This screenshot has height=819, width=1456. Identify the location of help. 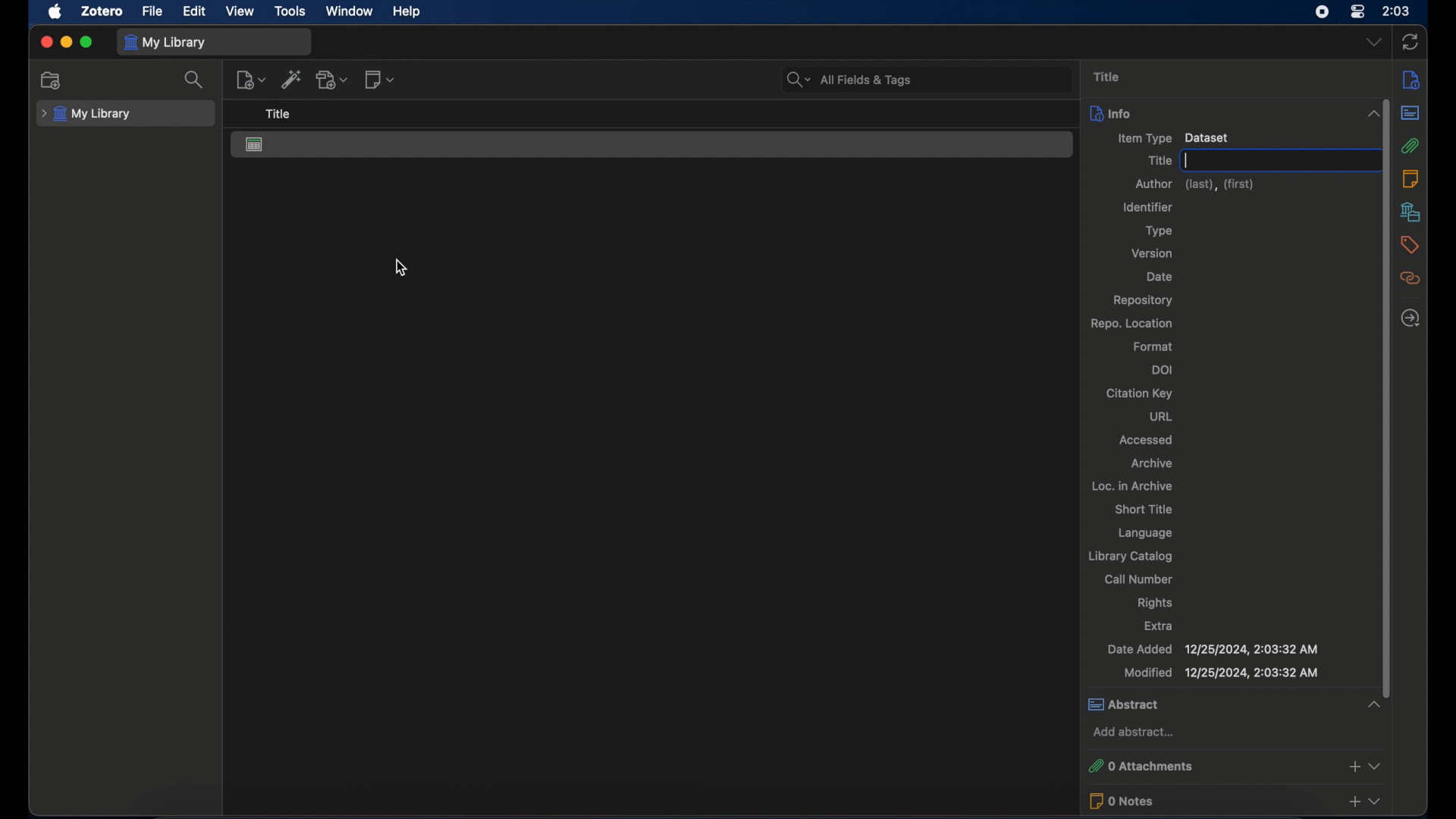
(406, 11).